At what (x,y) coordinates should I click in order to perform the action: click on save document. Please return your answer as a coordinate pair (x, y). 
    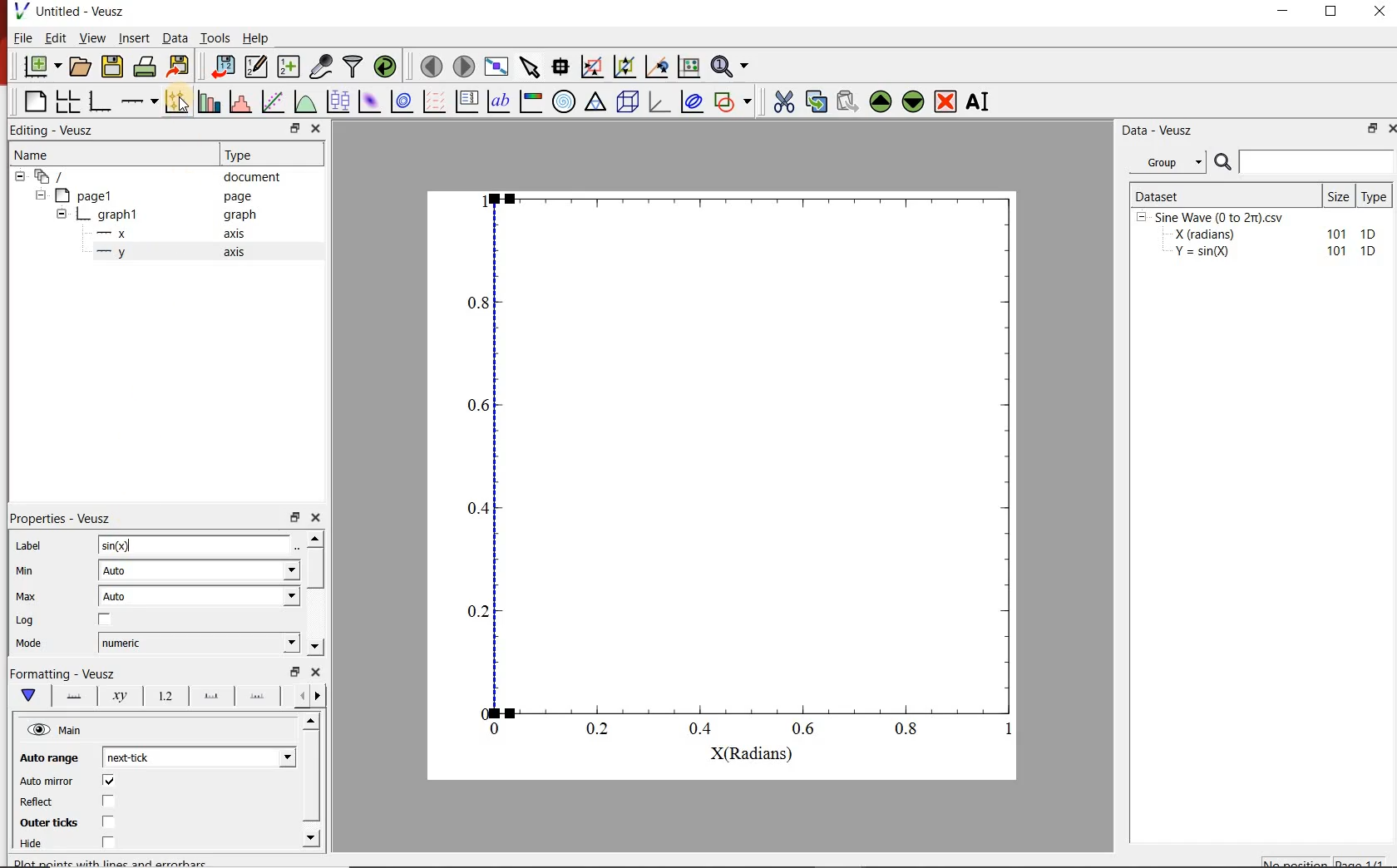
    Looking at the image, I should click on (112, 67).